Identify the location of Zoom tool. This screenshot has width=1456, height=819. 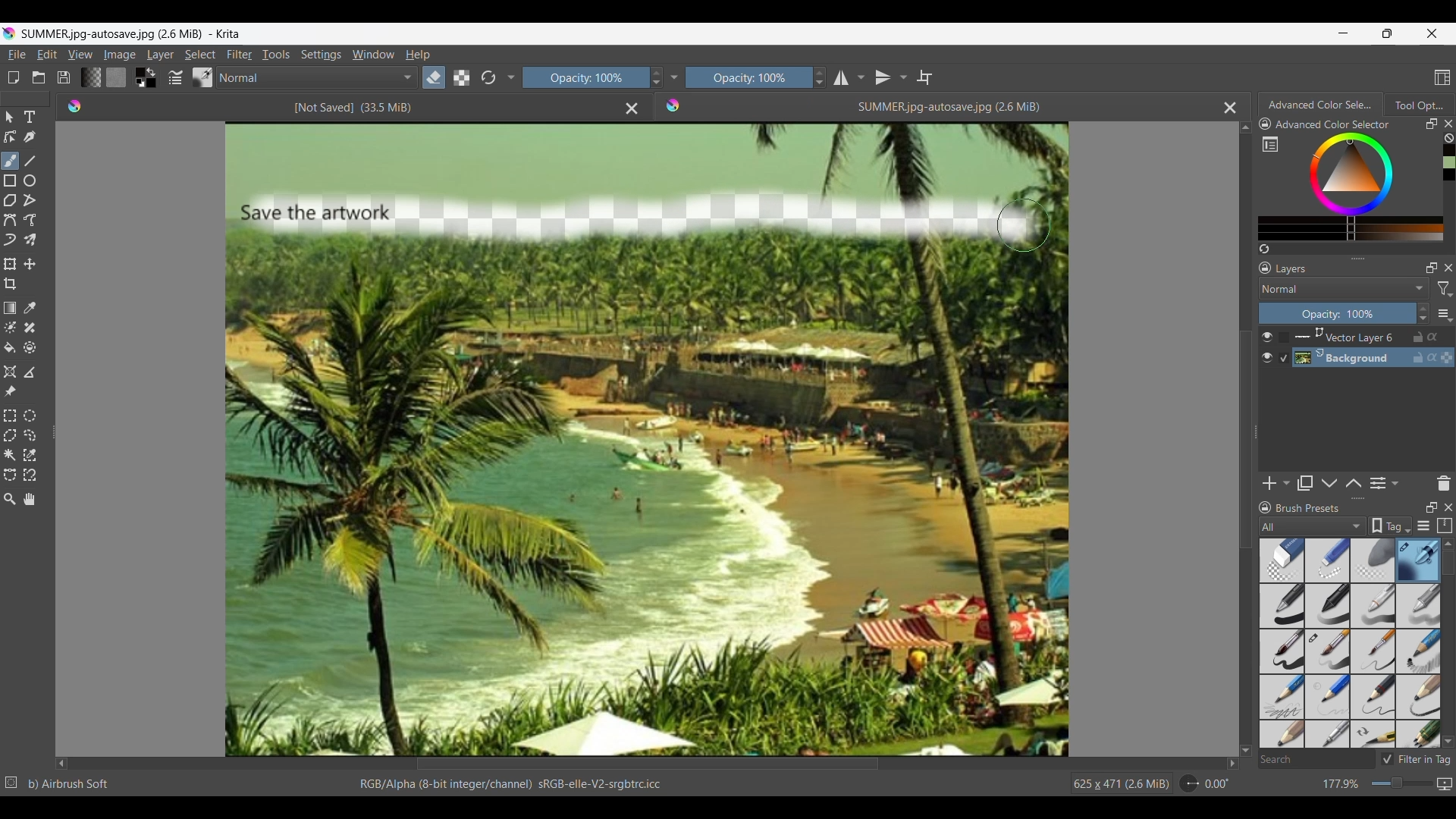
(9, 500).